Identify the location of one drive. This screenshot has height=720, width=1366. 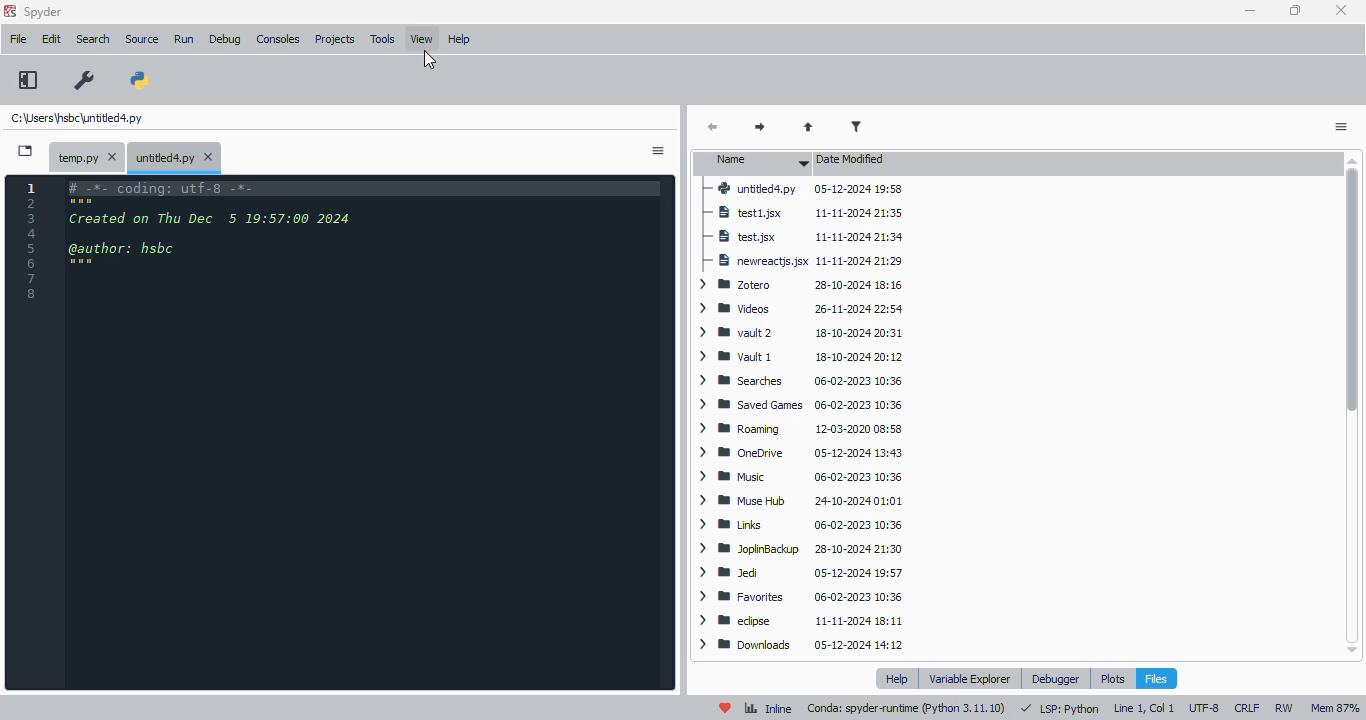
(798, 452).